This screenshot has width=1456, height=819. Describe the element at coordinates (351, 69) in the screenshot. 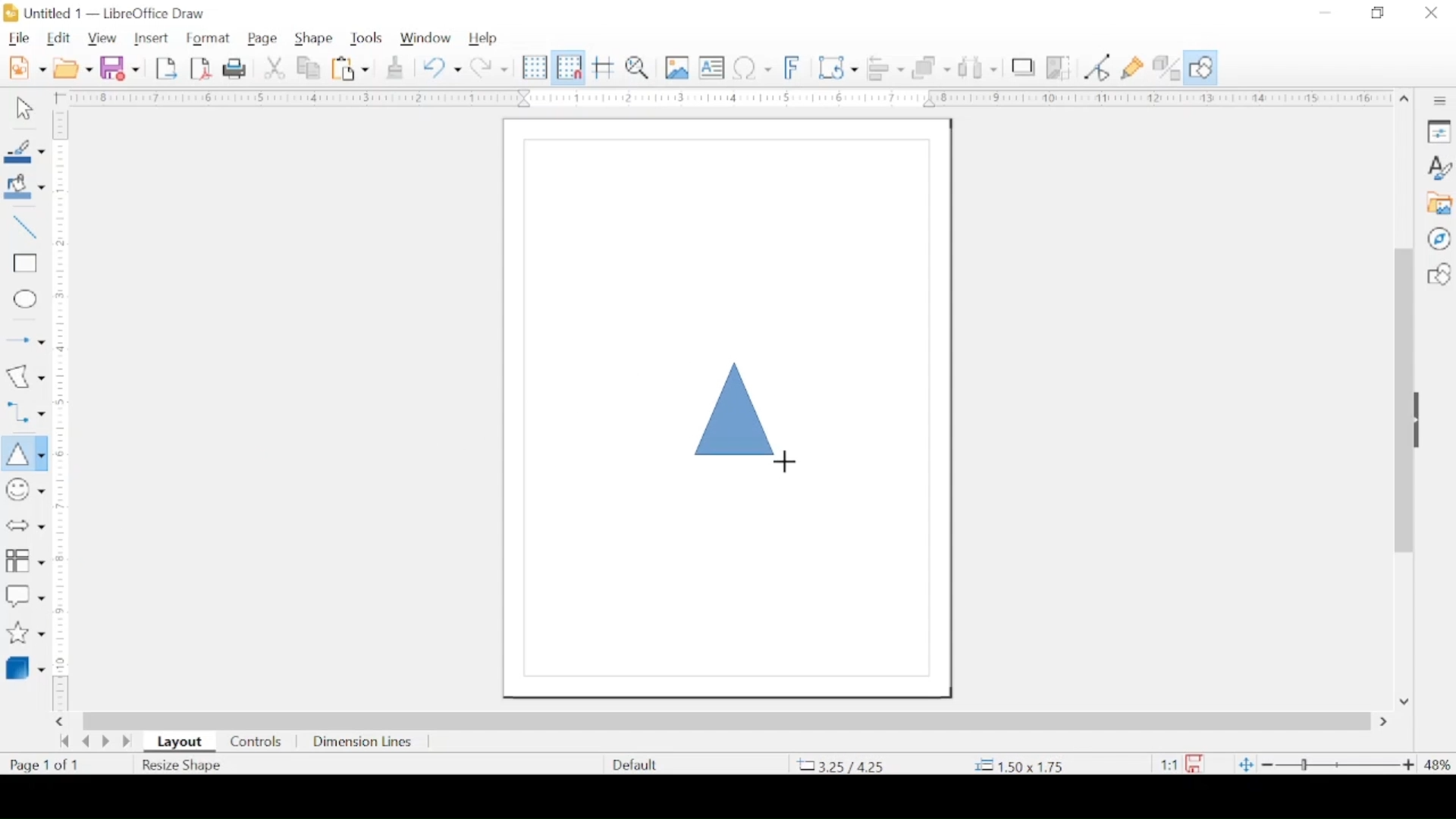

I see `paste options` at that location.